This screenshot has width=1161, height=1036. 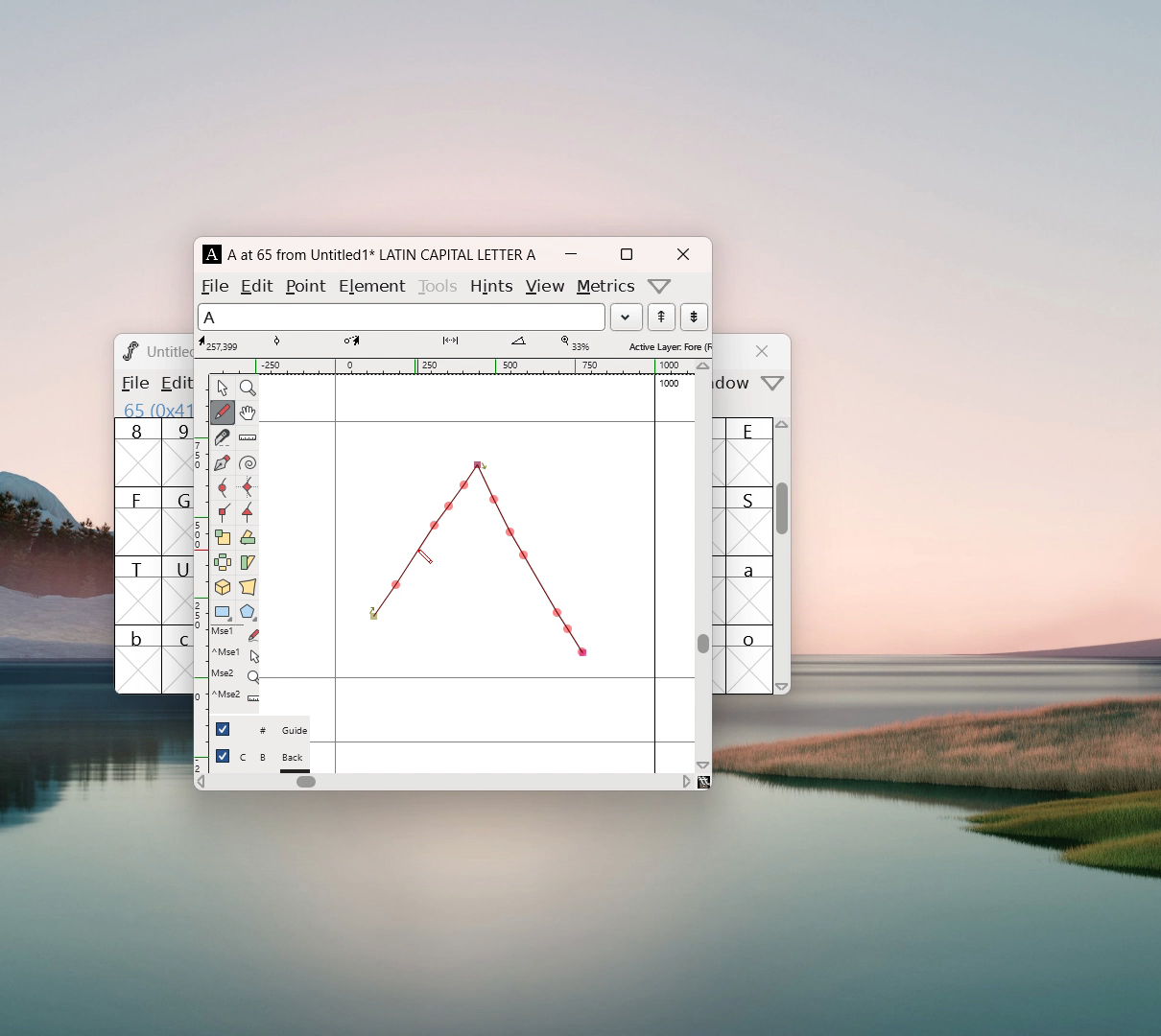 I want to click on point, so click(x=308, y=286).